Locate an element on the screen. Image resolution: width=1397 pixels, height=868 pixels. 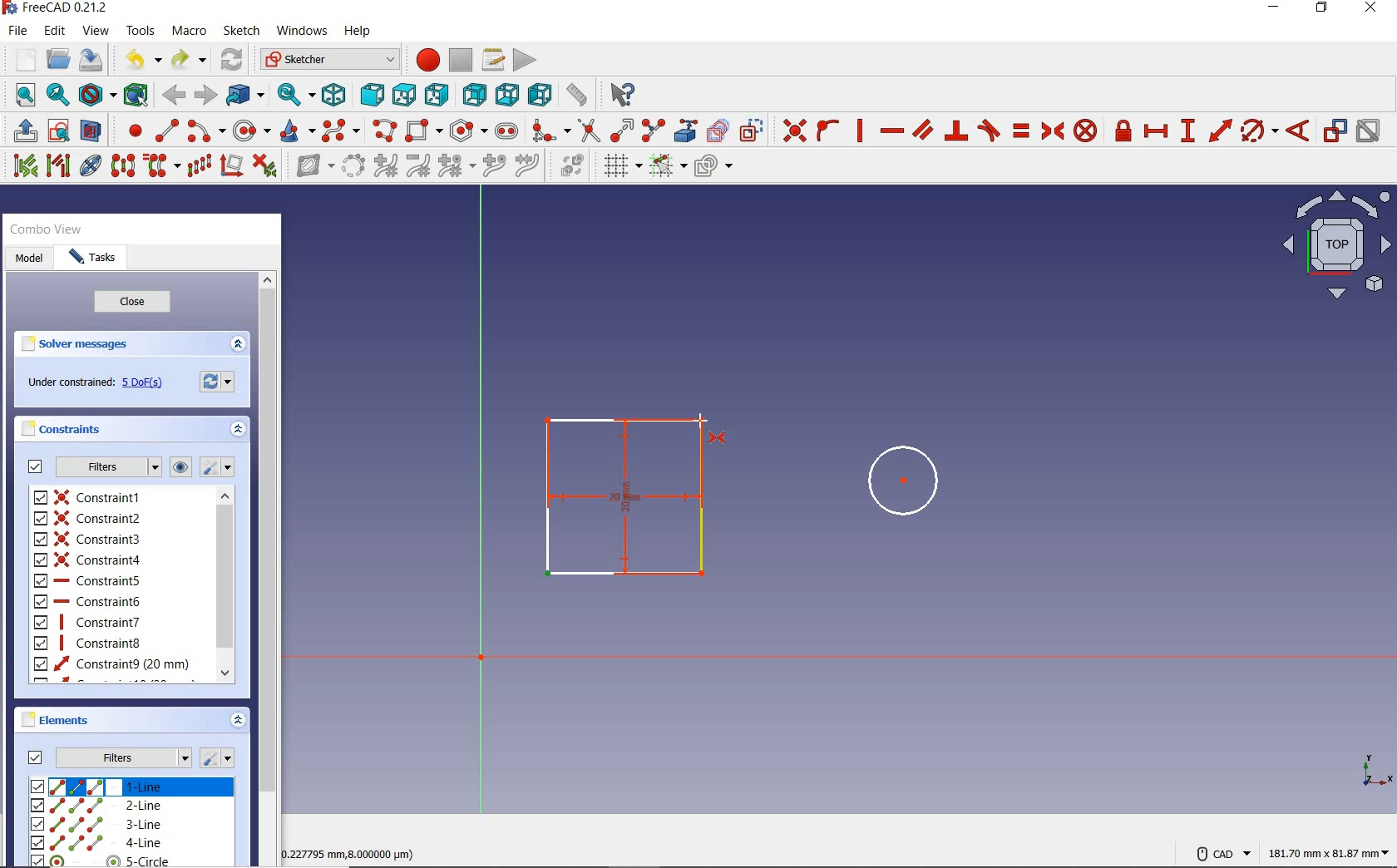
isometric is located at coordinates (334, 96).